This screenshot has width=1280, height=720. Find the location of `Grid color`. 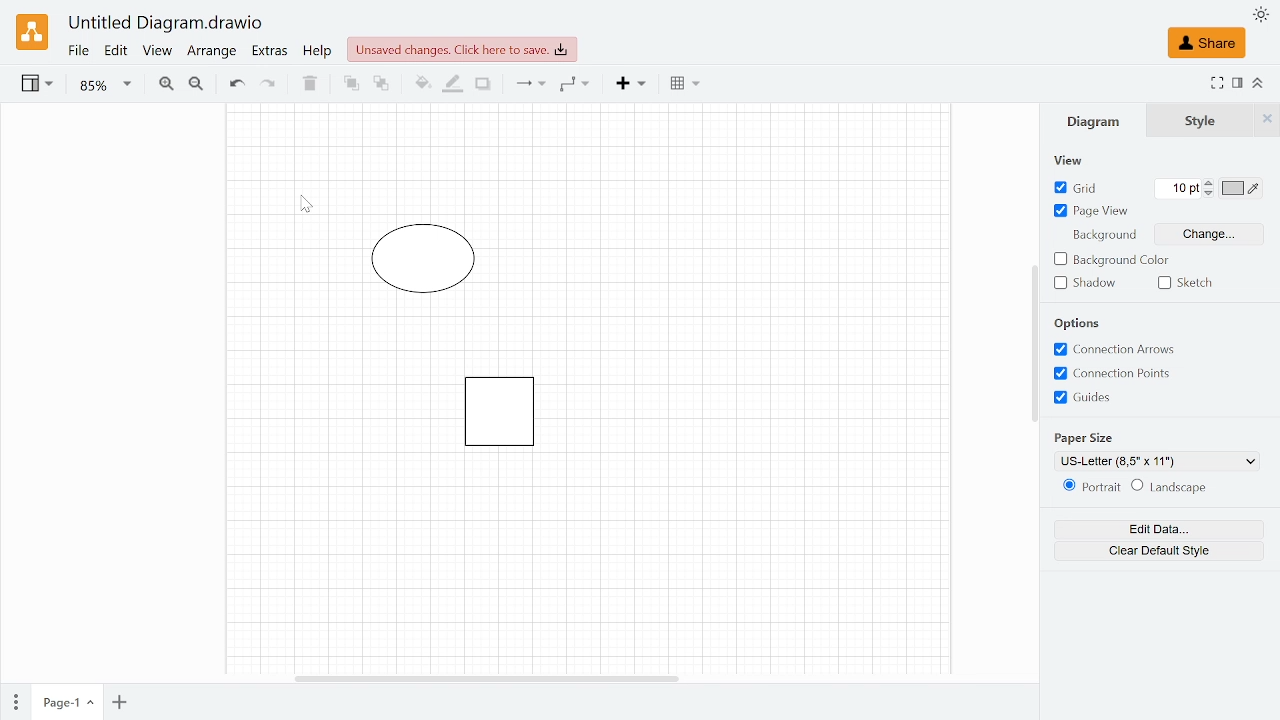

Grid color is located at coordinates (1242, 188).